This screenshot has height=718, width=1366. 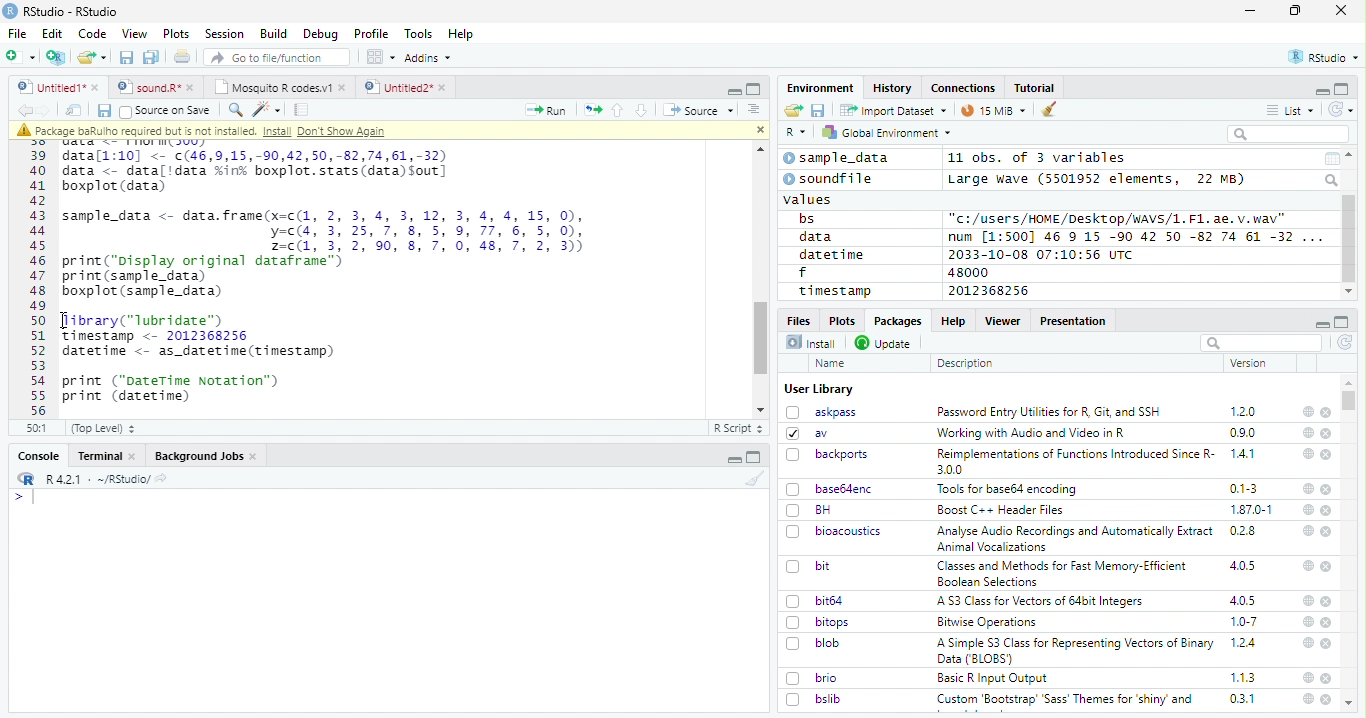 I want to click on help, so click(x=1308, y=677).